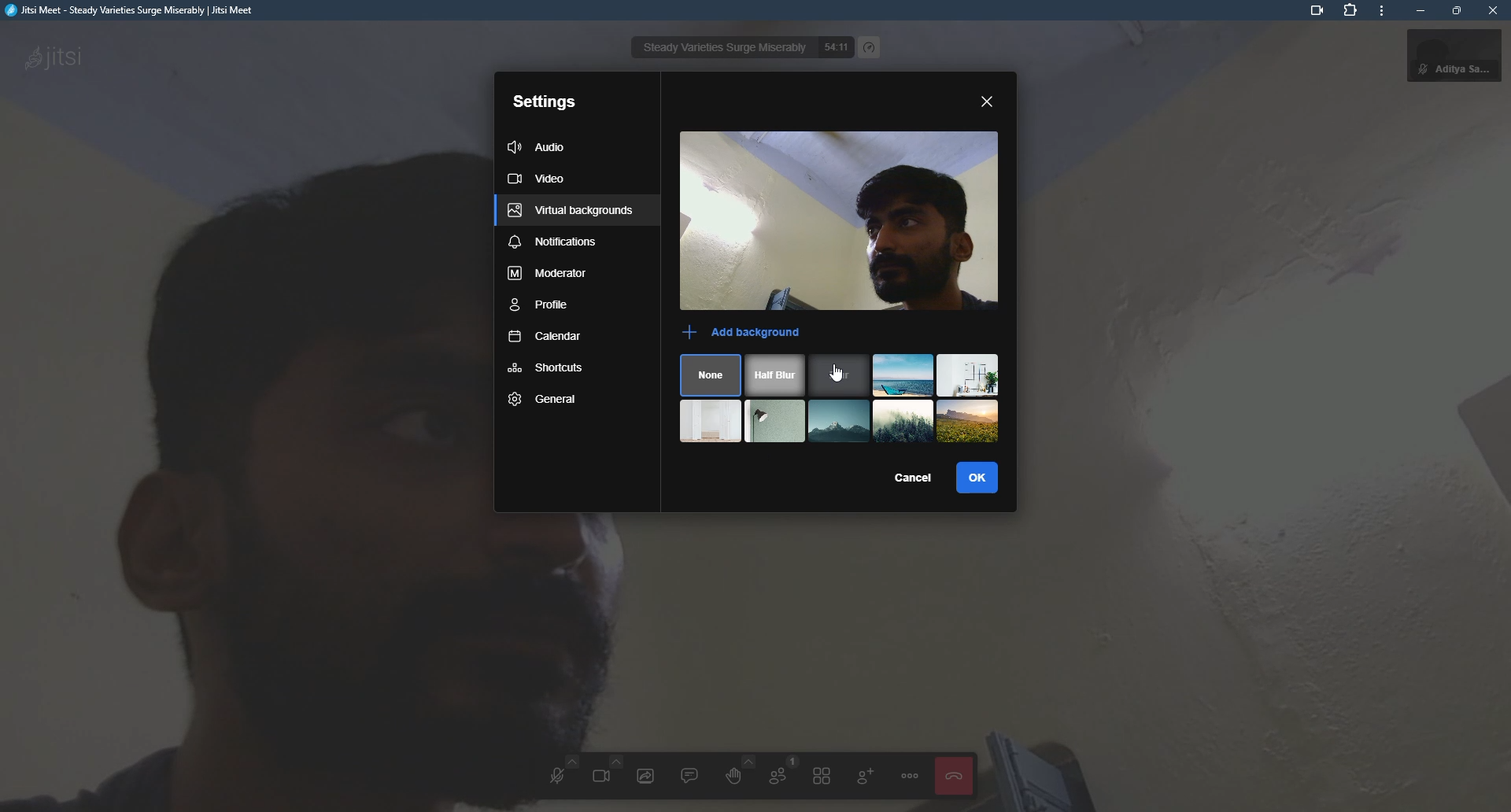 The image size is (1511, 812). What do you see at coordinates (910, 776) in the screenshot?
I see `more actions` at bounding box center [910, 776].